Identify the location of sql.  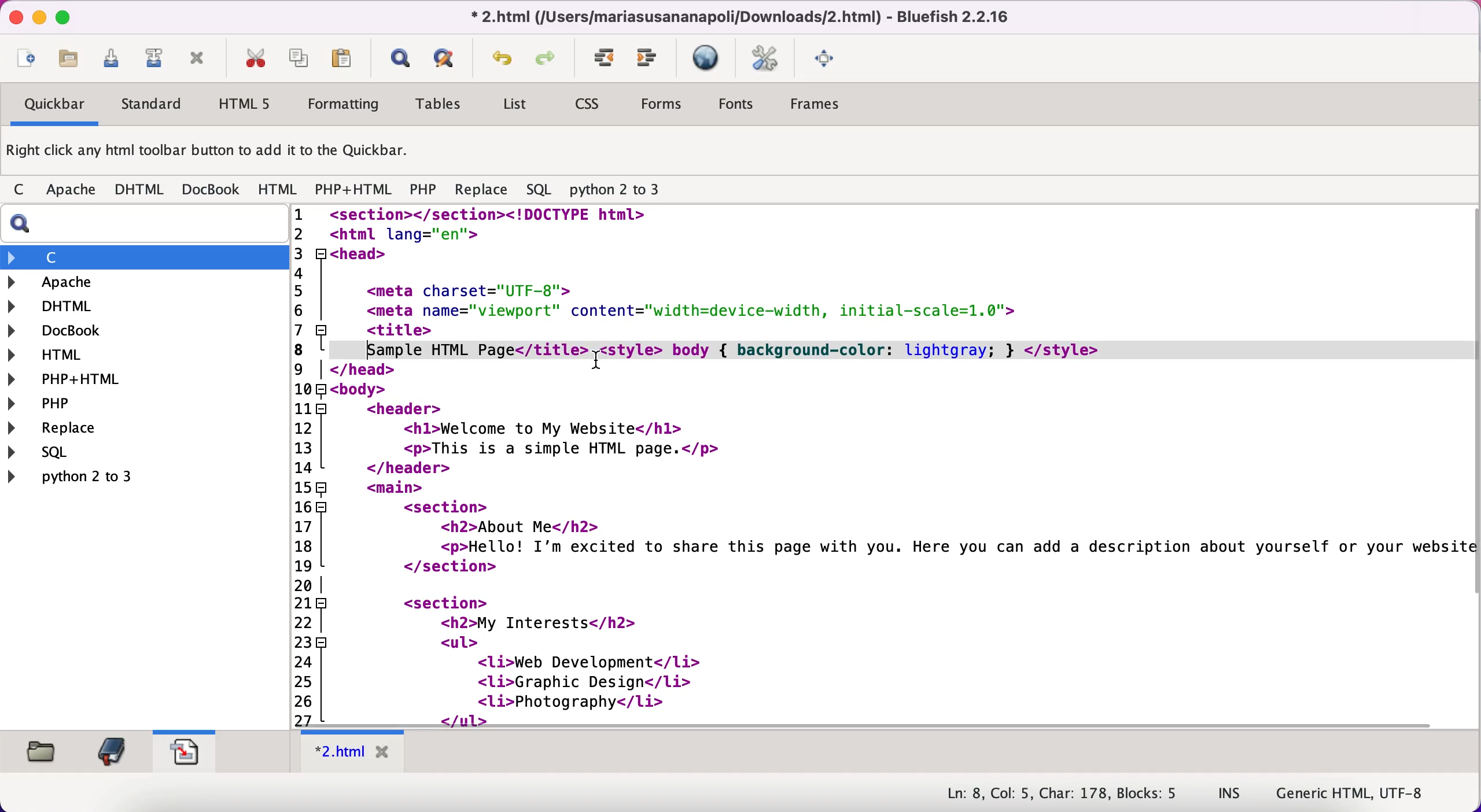
(541, 190).